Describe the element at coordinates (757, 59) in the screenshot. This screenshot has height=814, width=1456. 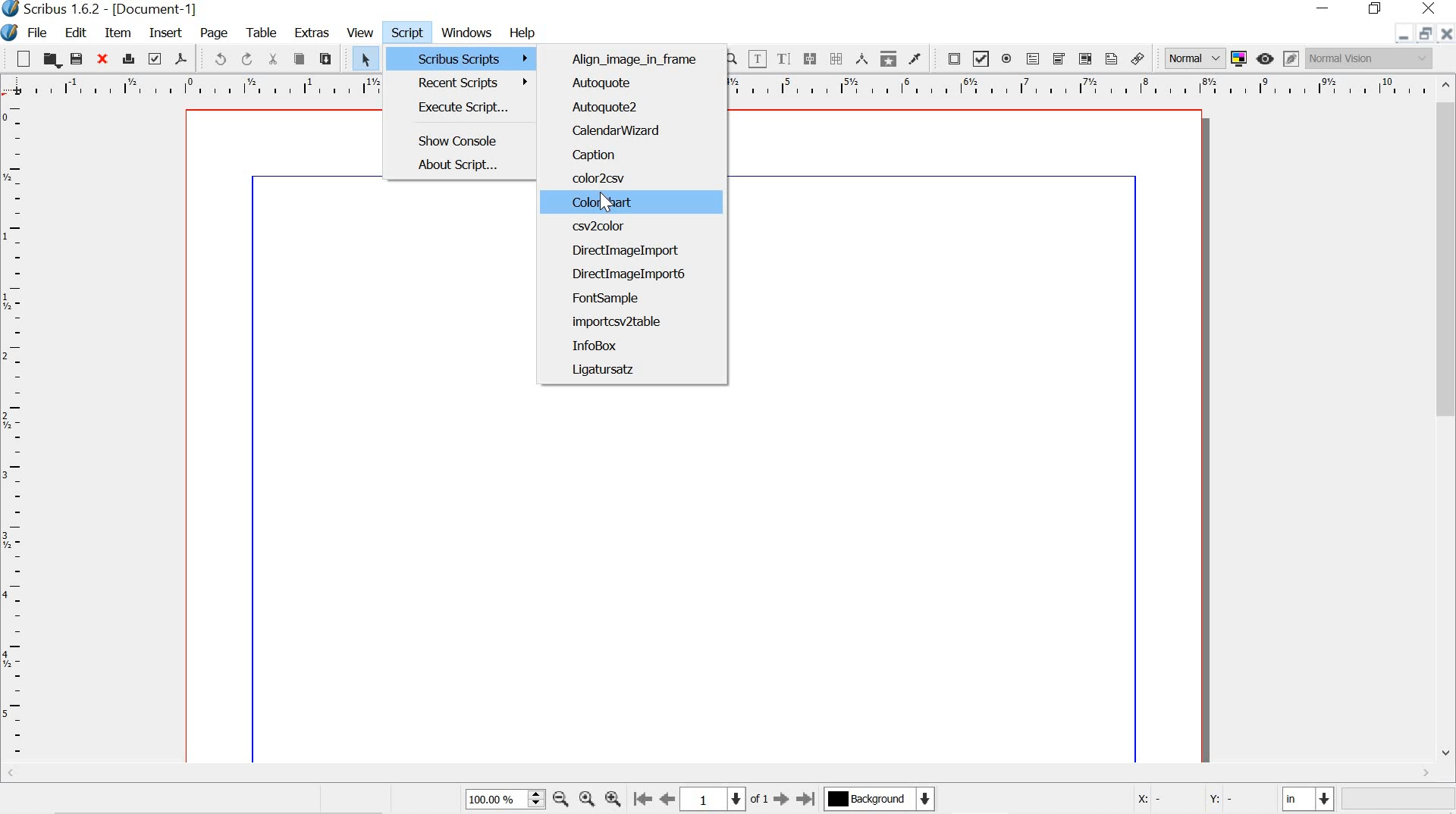
I see `edit contents of frame` at that location.